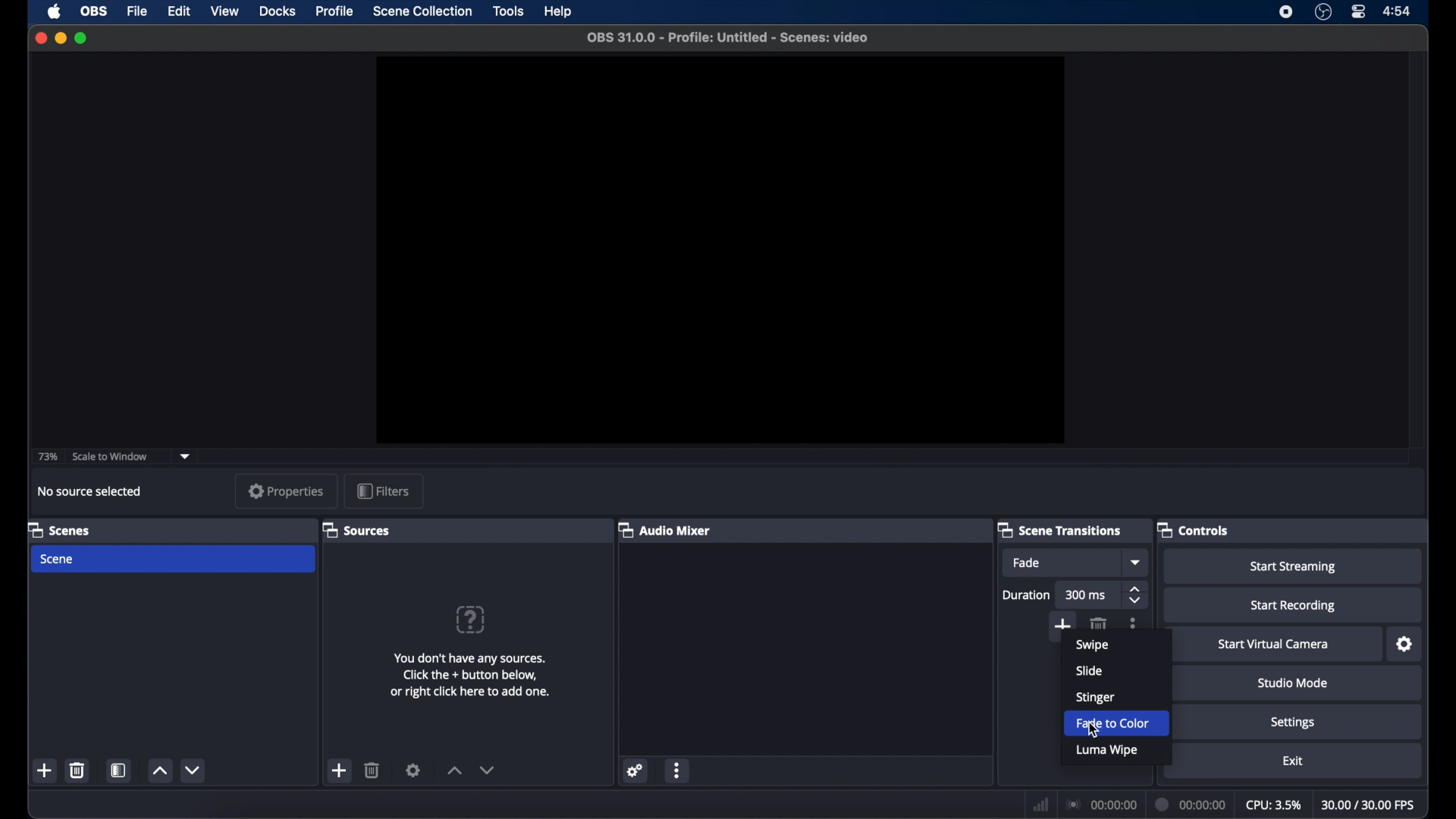 This screenshot has height=819, width=1456. What do you see at coordinates (1136, 595) in the screenshot?
I see `stepper buttons` at bounding box center [1136, 595].